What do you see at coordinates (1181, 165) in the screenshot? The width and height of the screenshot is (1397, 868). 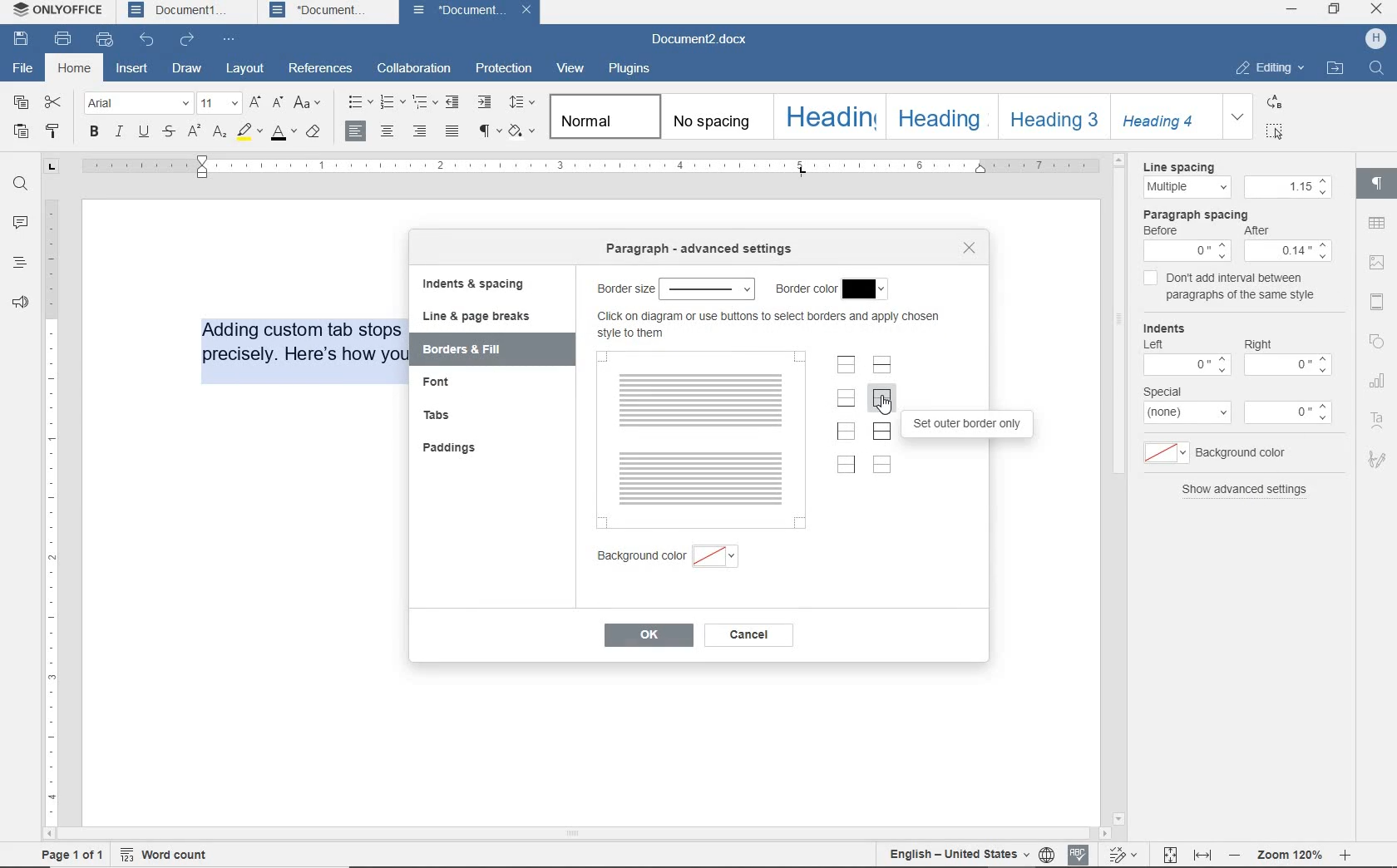 I see `Line spacing` at bounding box center [1181, 165].